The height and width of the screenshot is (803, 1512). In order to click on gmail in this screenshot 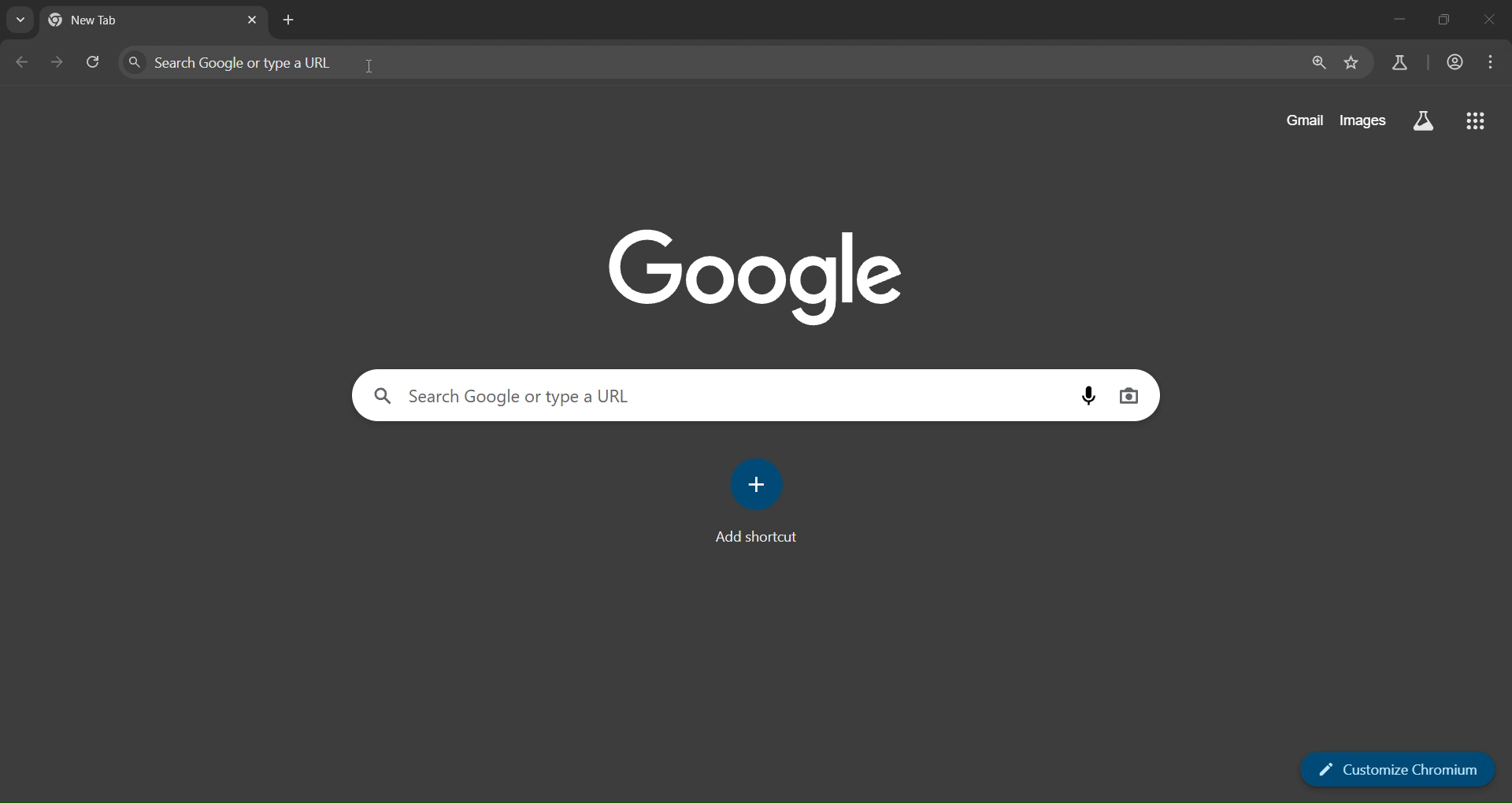, I will do `click(1307, 121)`.